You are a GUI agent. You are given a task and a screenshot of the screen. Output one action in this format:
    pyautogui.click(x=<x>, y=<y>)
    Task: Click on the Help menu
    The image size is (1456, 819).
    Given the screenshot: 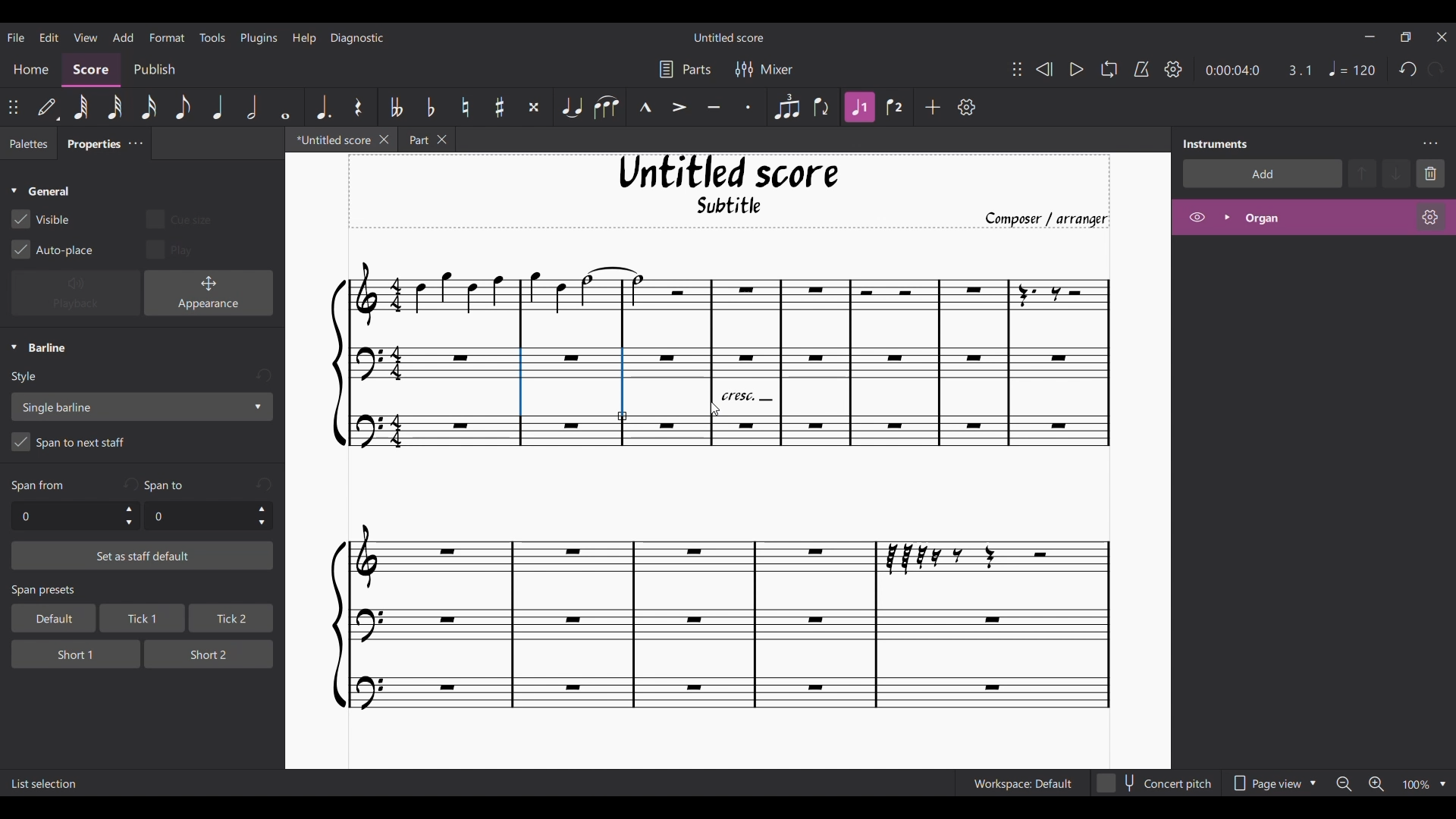 What is the action you would take?
    pyautogui.click(x=304, y=37)
    